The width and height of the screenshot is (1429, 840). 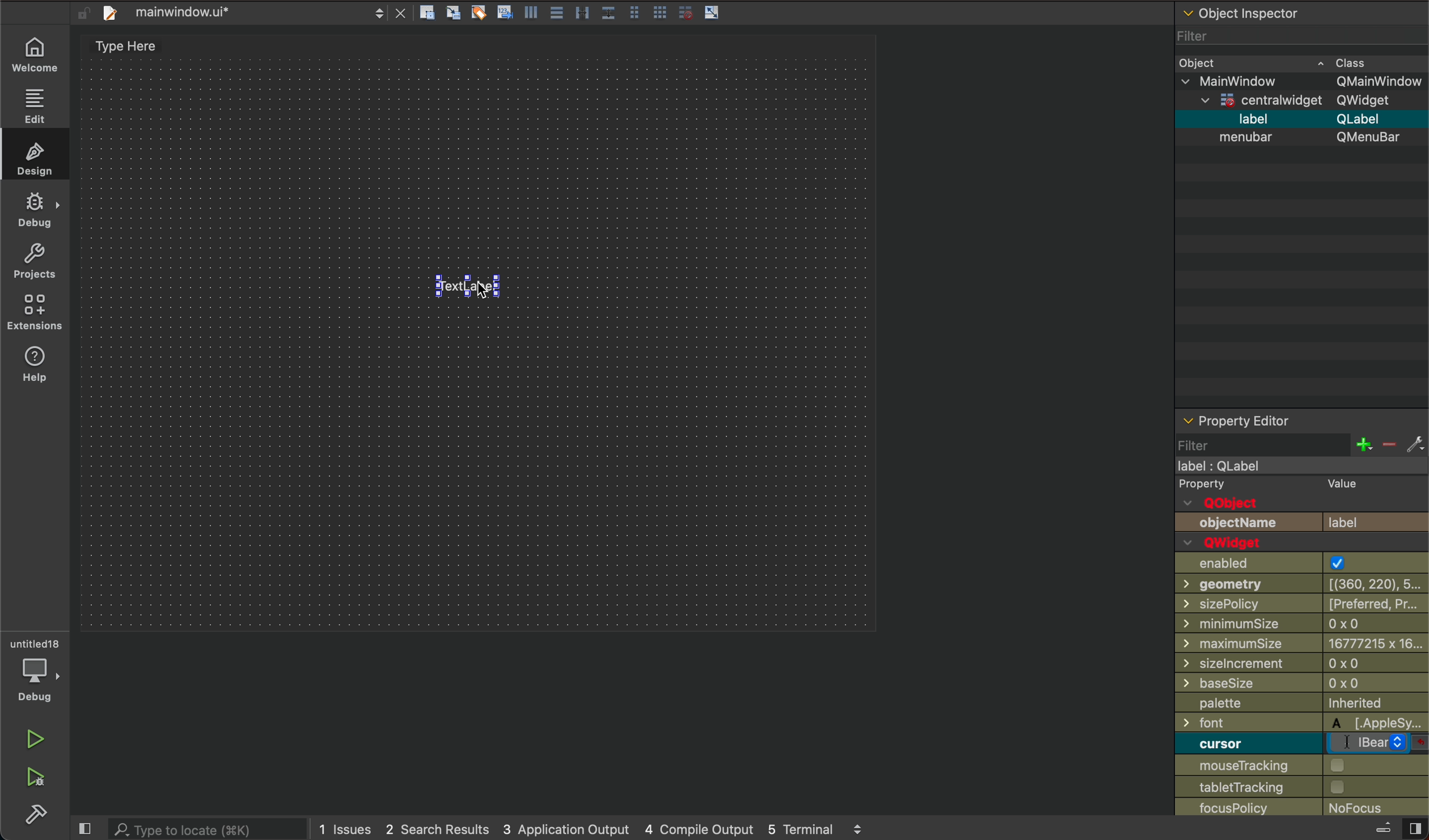 I want to click on Filter, so click(x=1197, y=35).